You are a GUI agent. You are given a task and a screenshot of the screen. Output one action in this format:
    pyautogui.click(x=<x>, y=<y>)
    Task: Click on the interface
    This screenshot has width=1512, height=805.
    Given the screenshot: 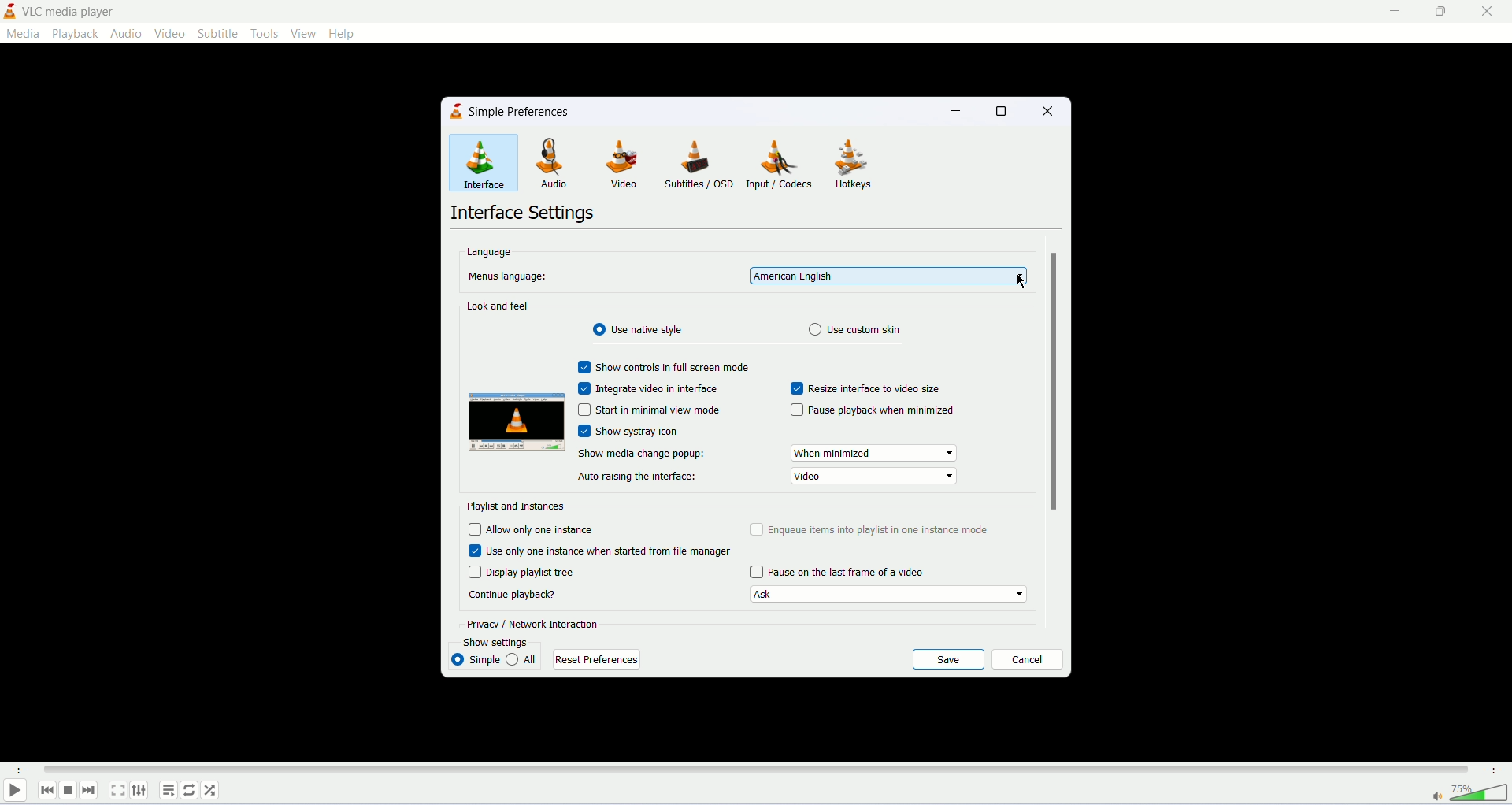 What is the action you would take?
    pyautogui.click(x=477, y=165)
    